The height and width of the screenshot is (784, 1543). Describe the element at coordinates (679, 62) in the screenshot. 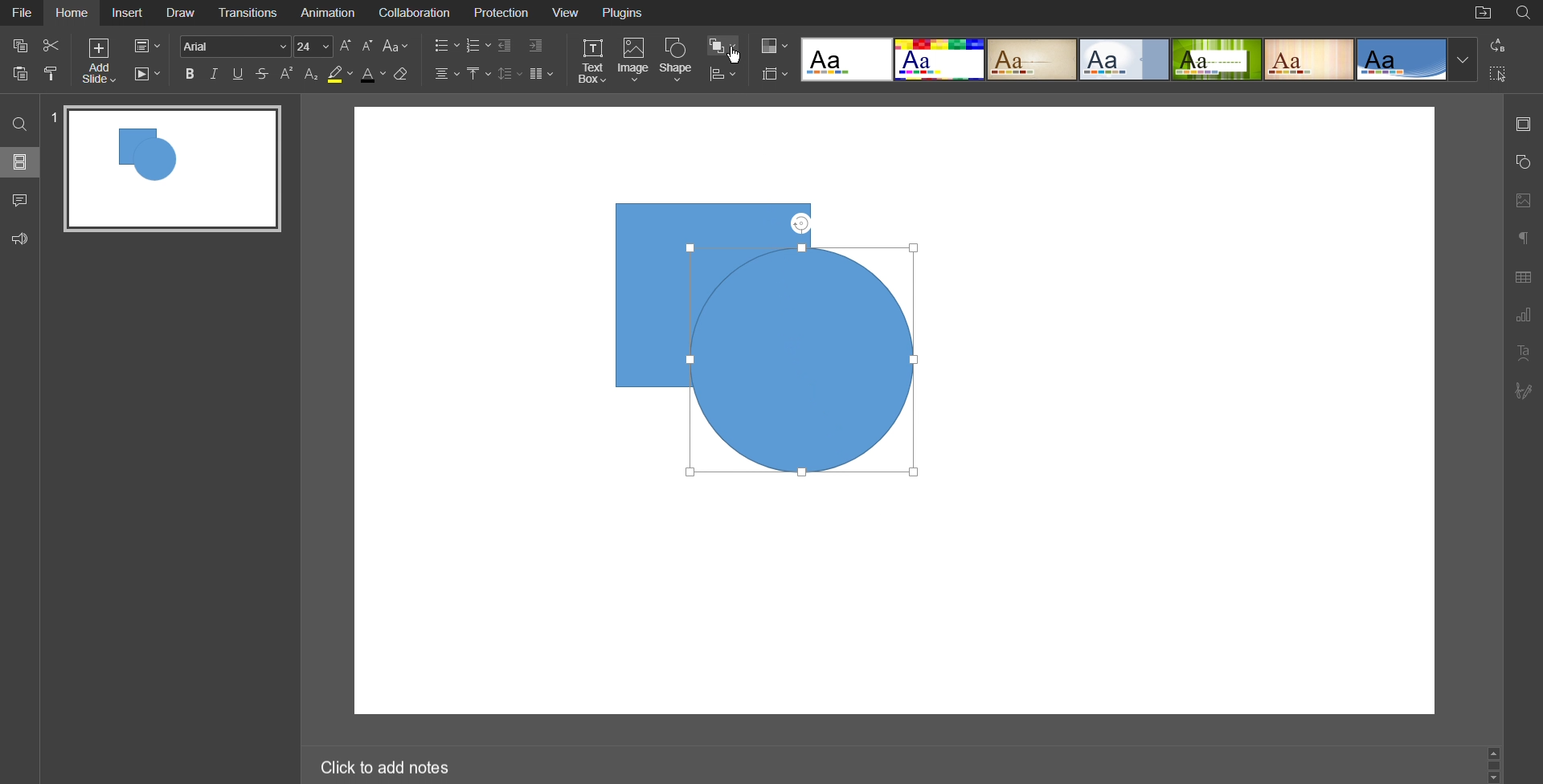

I see `Shape` at that location.